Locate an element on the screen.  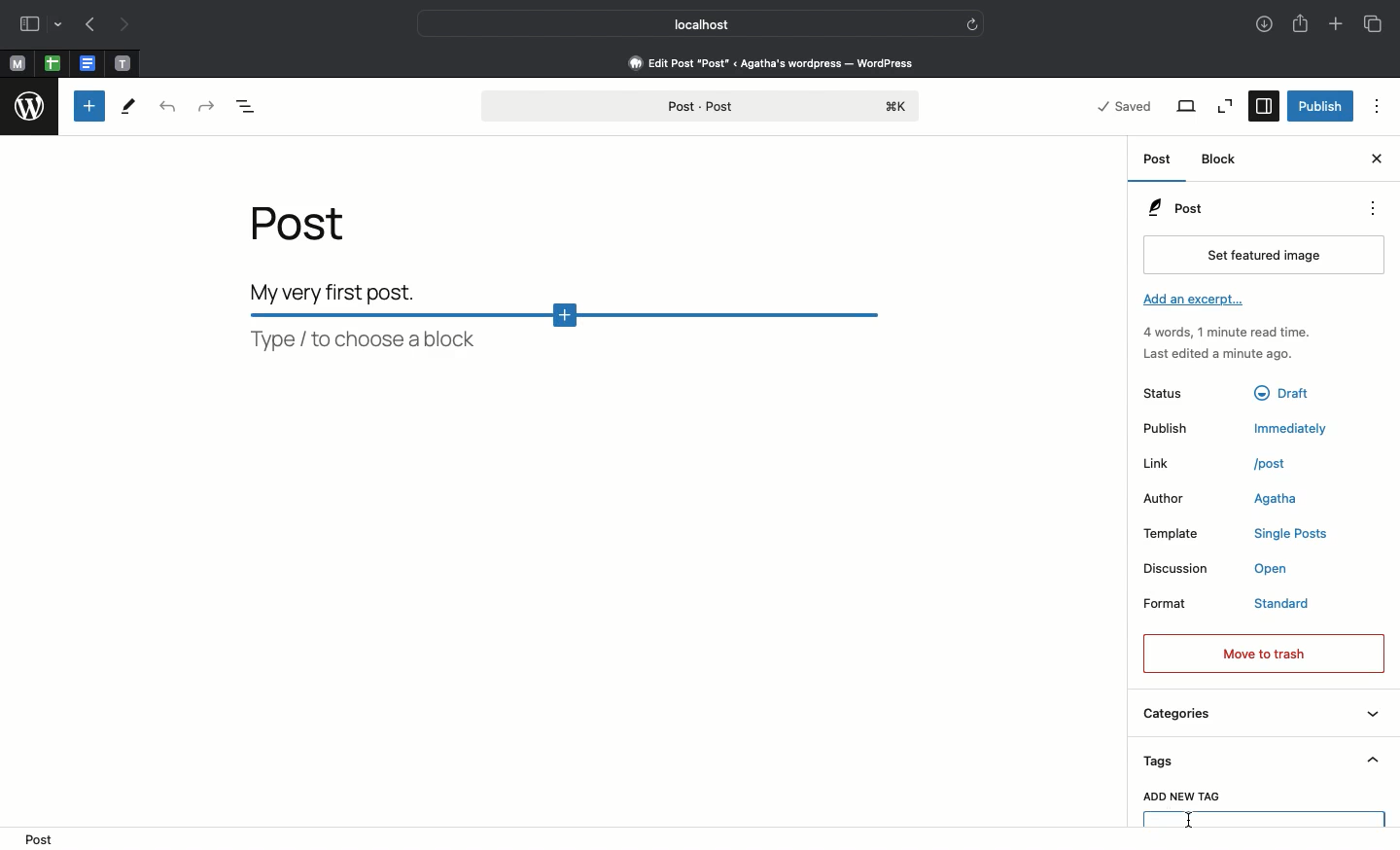
draft is located at coordinates (1281, 394).